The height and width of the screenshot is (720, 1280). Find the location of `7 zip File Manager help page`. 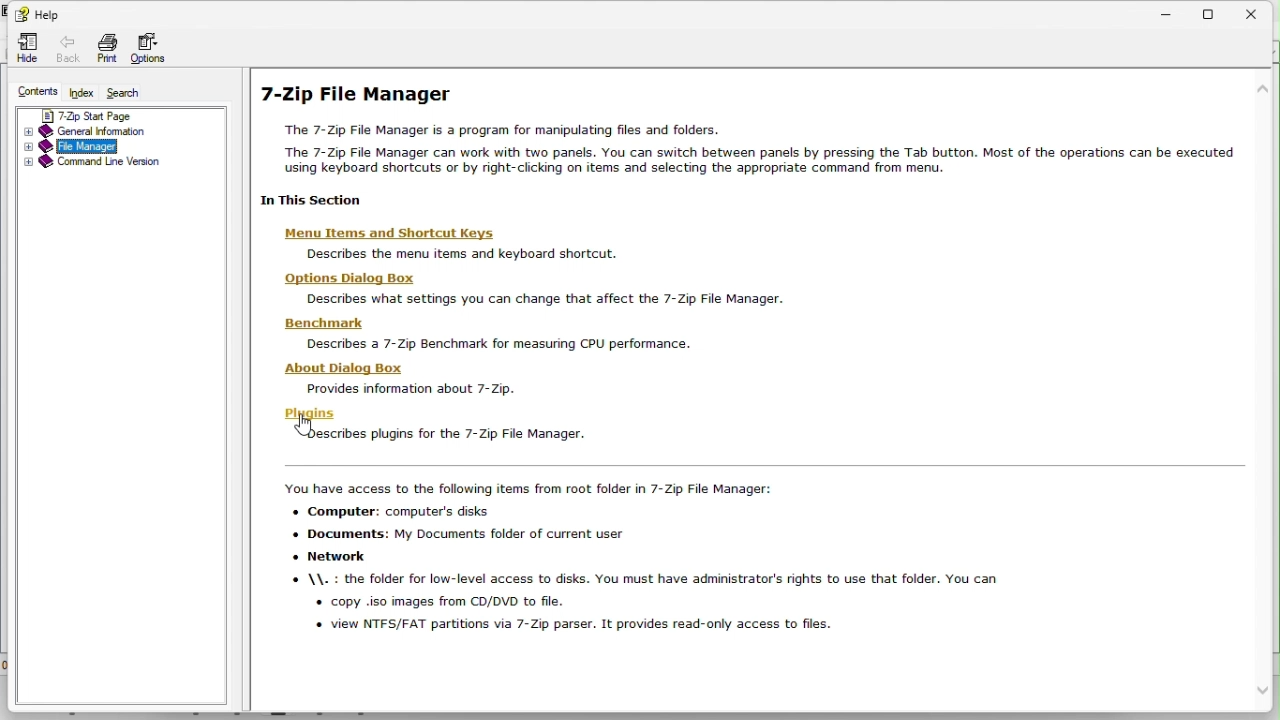

7 zip File Manager help page is located at coordinates (745, 138).